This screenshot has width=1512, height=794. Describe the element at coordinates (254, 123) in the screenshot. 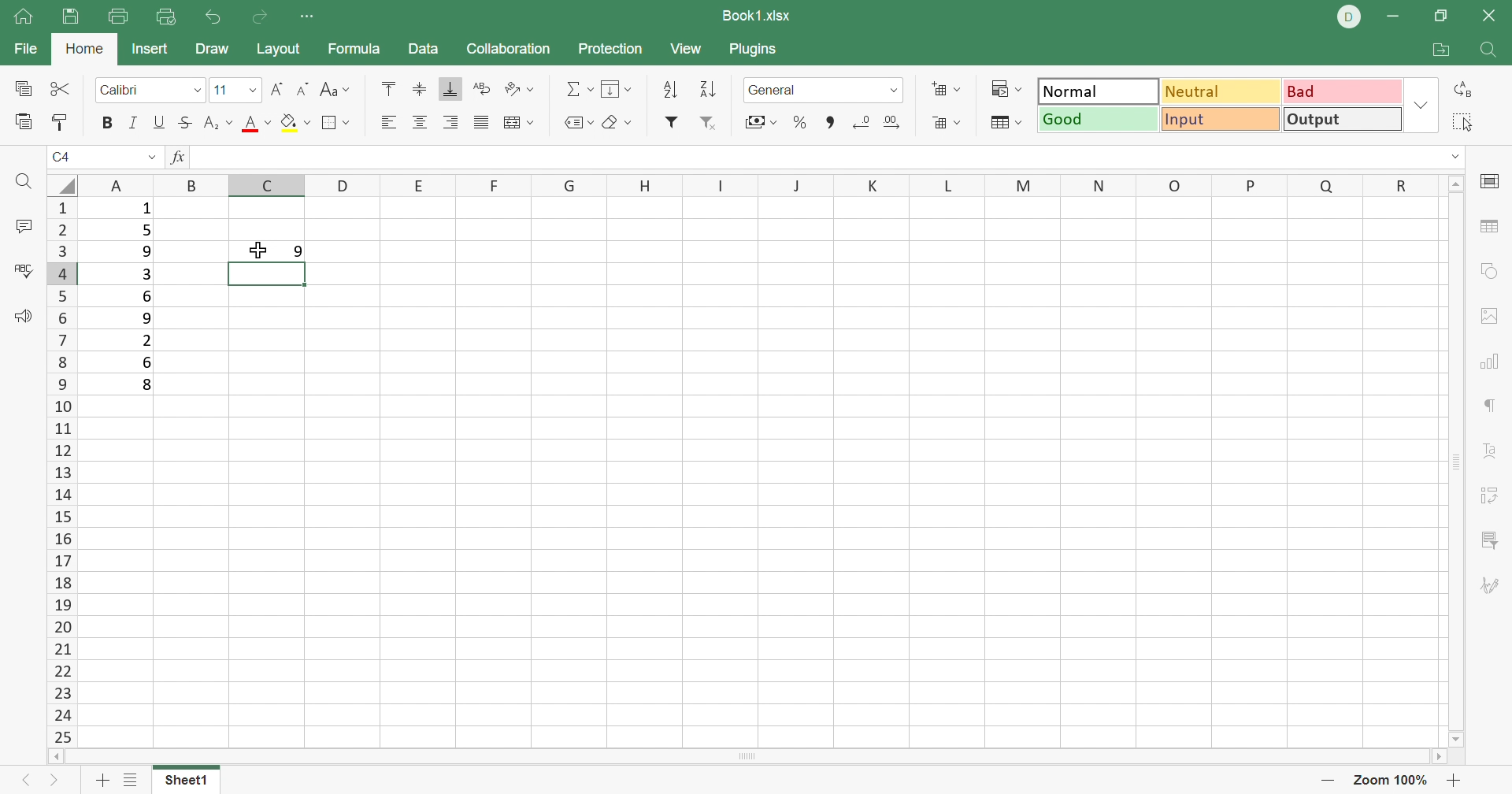

I see `Font color` at that location.